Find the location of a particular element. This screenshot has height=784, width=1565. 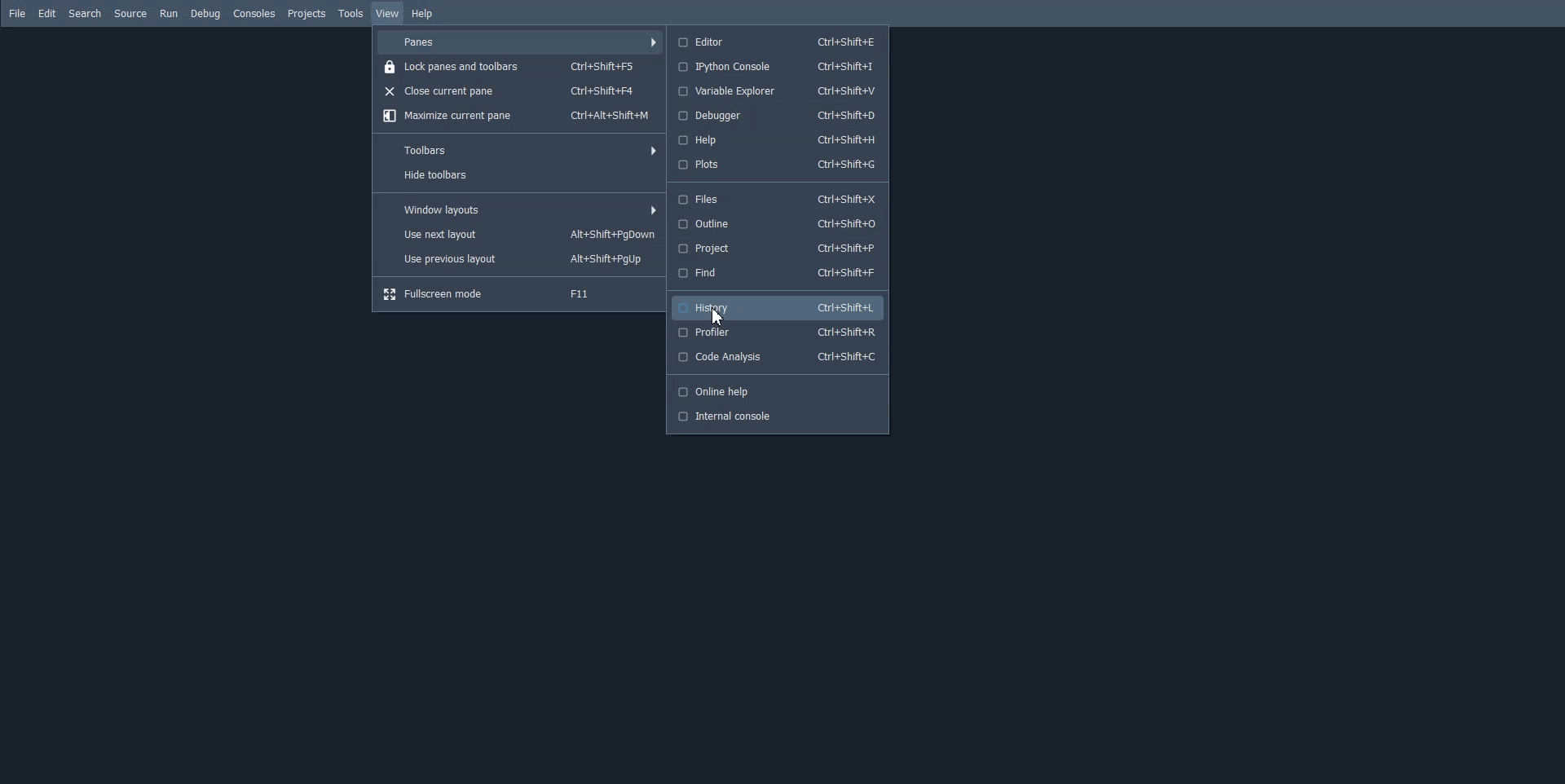

Run is located at coordinates (169, 14).